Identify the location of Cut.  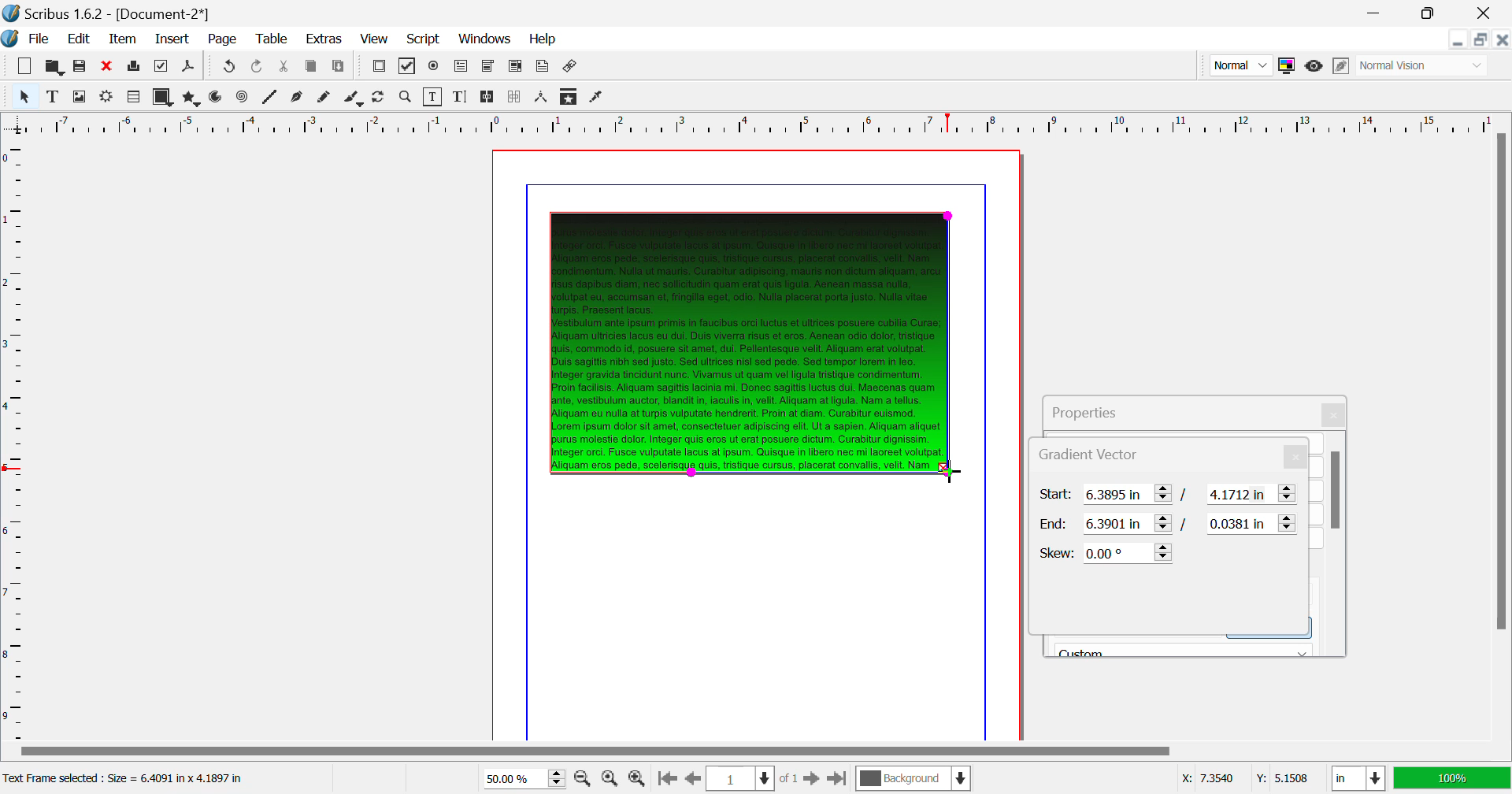
(285, 68).